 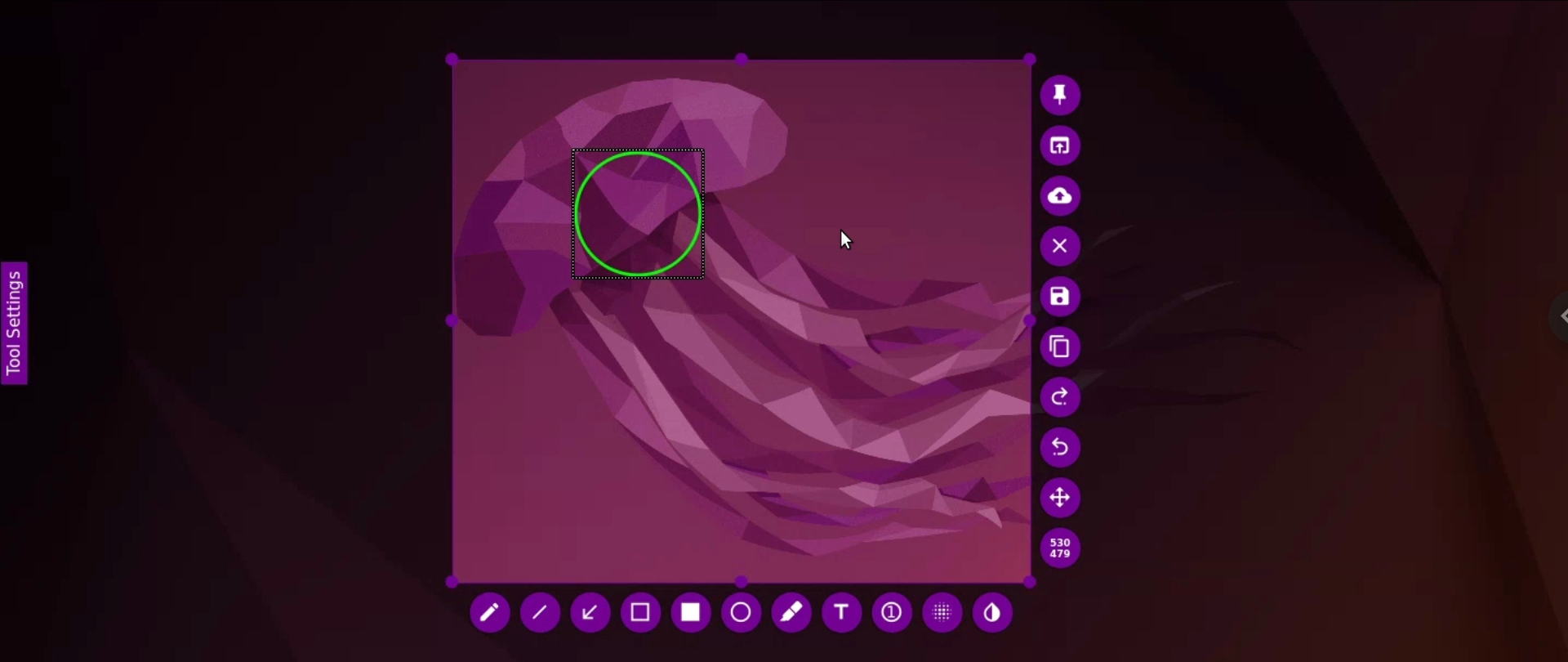 I want to click on leave image, so click(x=1063, y=248).